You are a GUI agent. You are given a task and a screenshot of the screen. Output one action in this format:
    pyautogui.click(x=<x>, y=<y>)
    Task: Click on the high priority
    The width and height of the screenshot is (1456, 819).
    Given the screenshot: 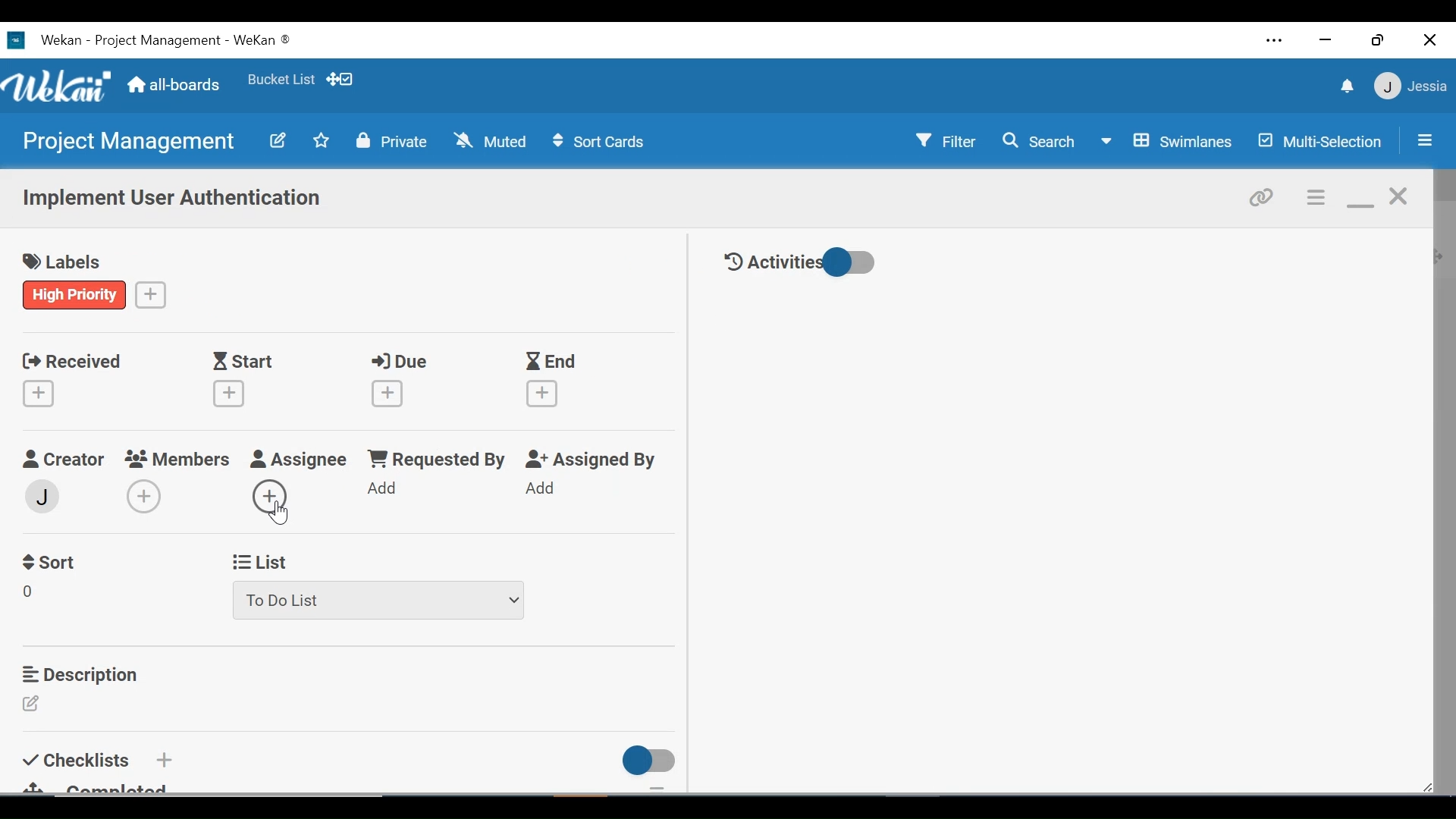 What is the action you would take?
    pyautogui.click(x=75, y=294)
    